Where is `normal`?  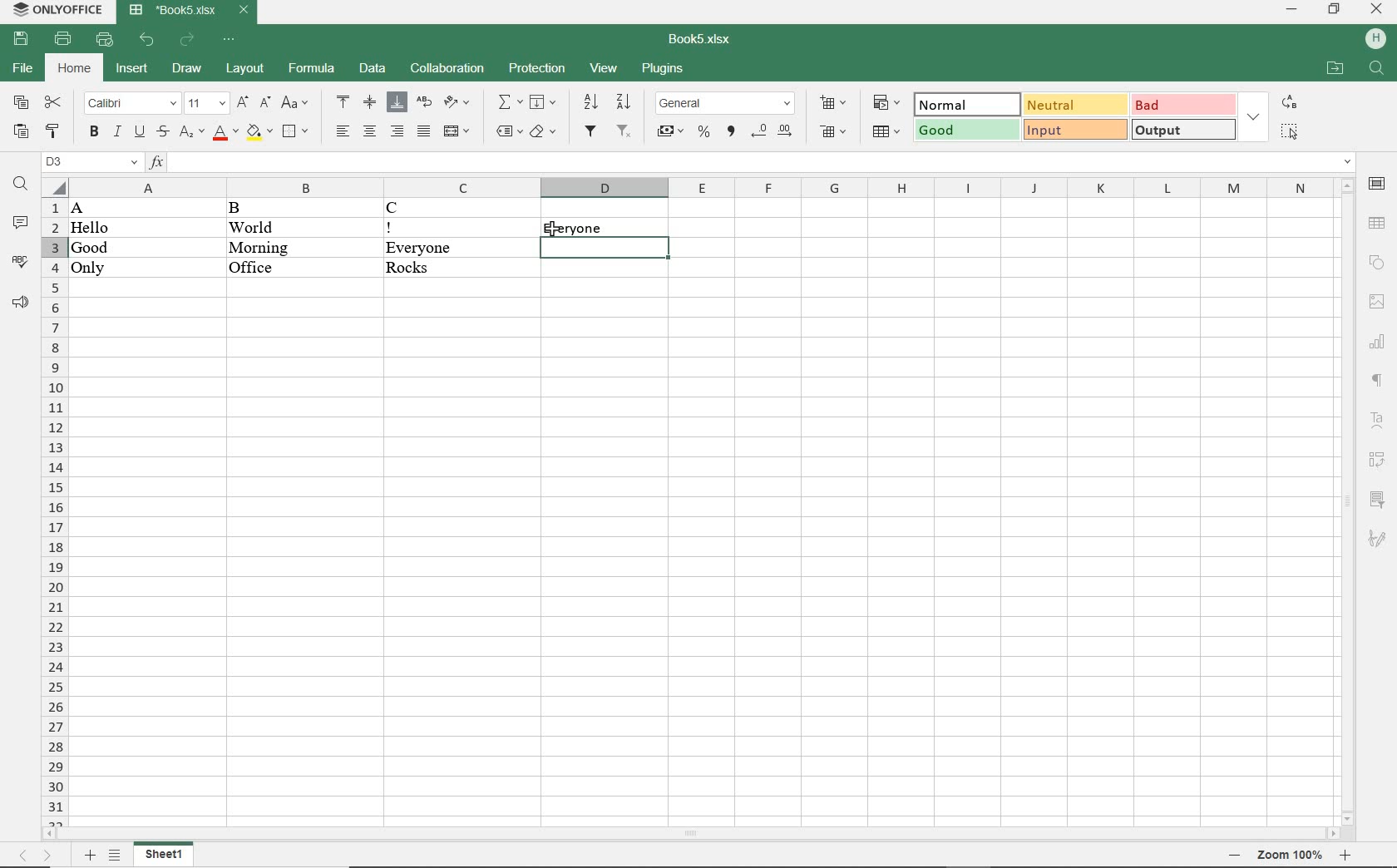 normal is located at coordinates (966, 103).